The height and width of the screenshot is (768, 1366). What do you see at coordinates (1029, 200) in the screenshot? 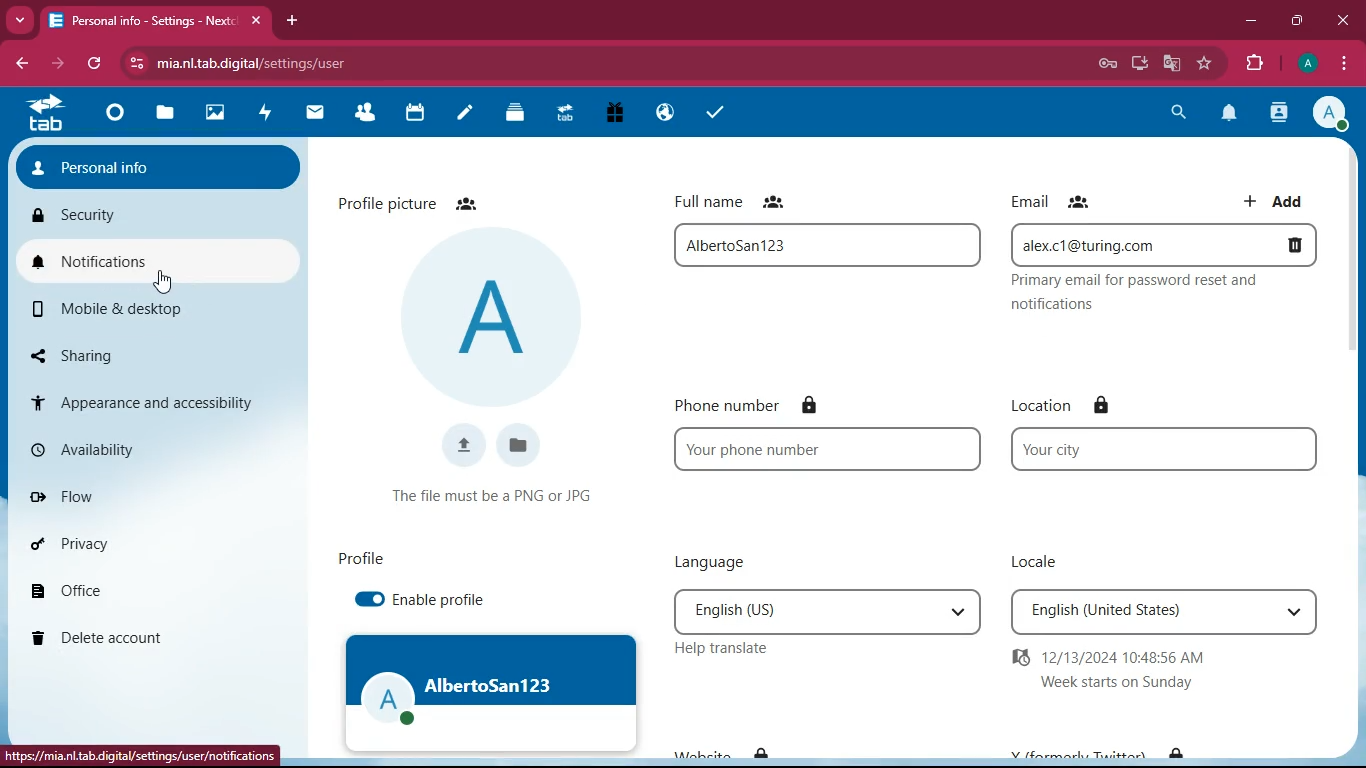
I see `email` at bounding box center [1029, 200].